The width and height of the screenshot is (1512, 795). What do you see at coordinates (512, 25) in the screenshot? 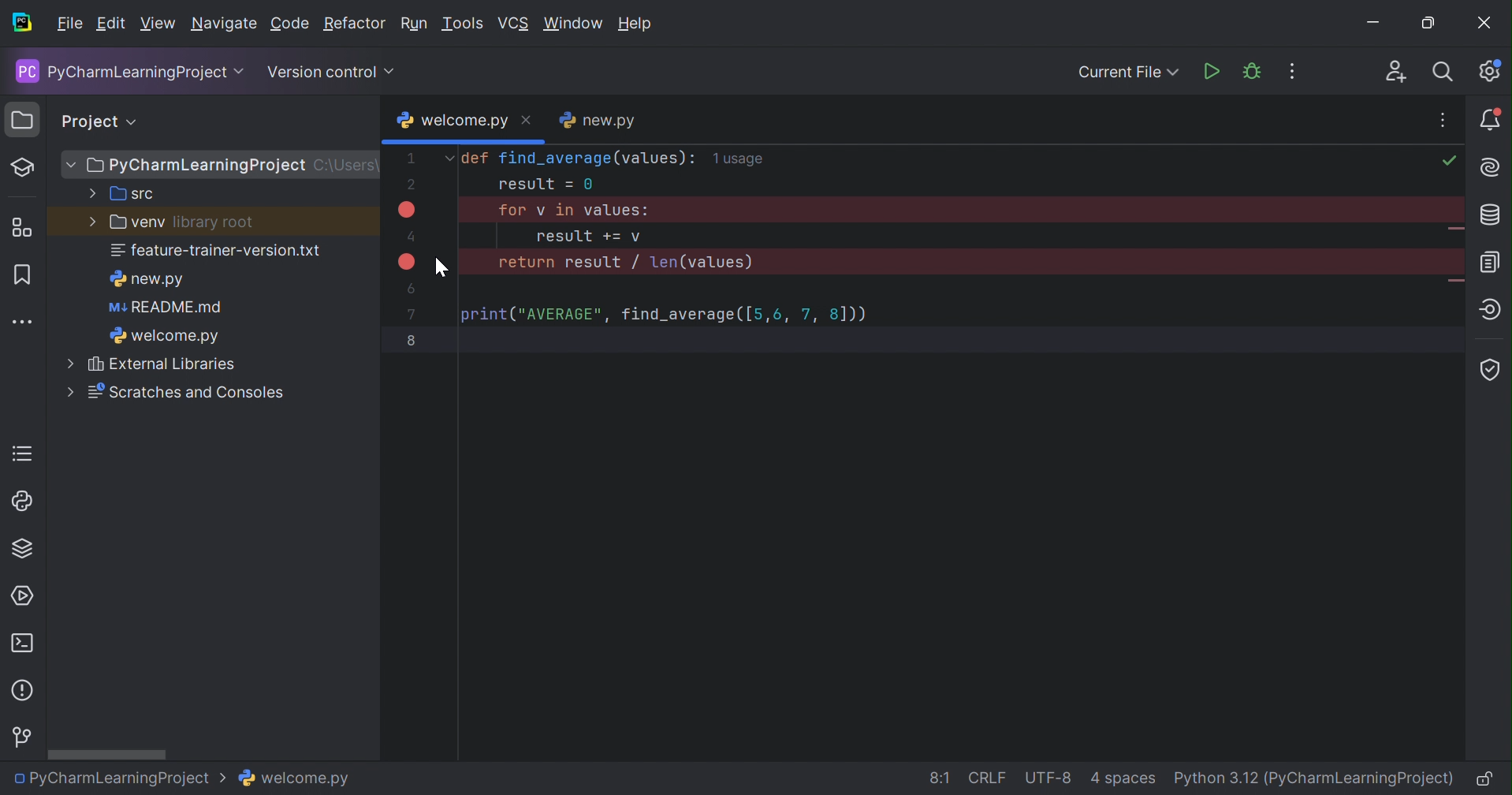
I see `VCS` at bounding box center [512, 25].